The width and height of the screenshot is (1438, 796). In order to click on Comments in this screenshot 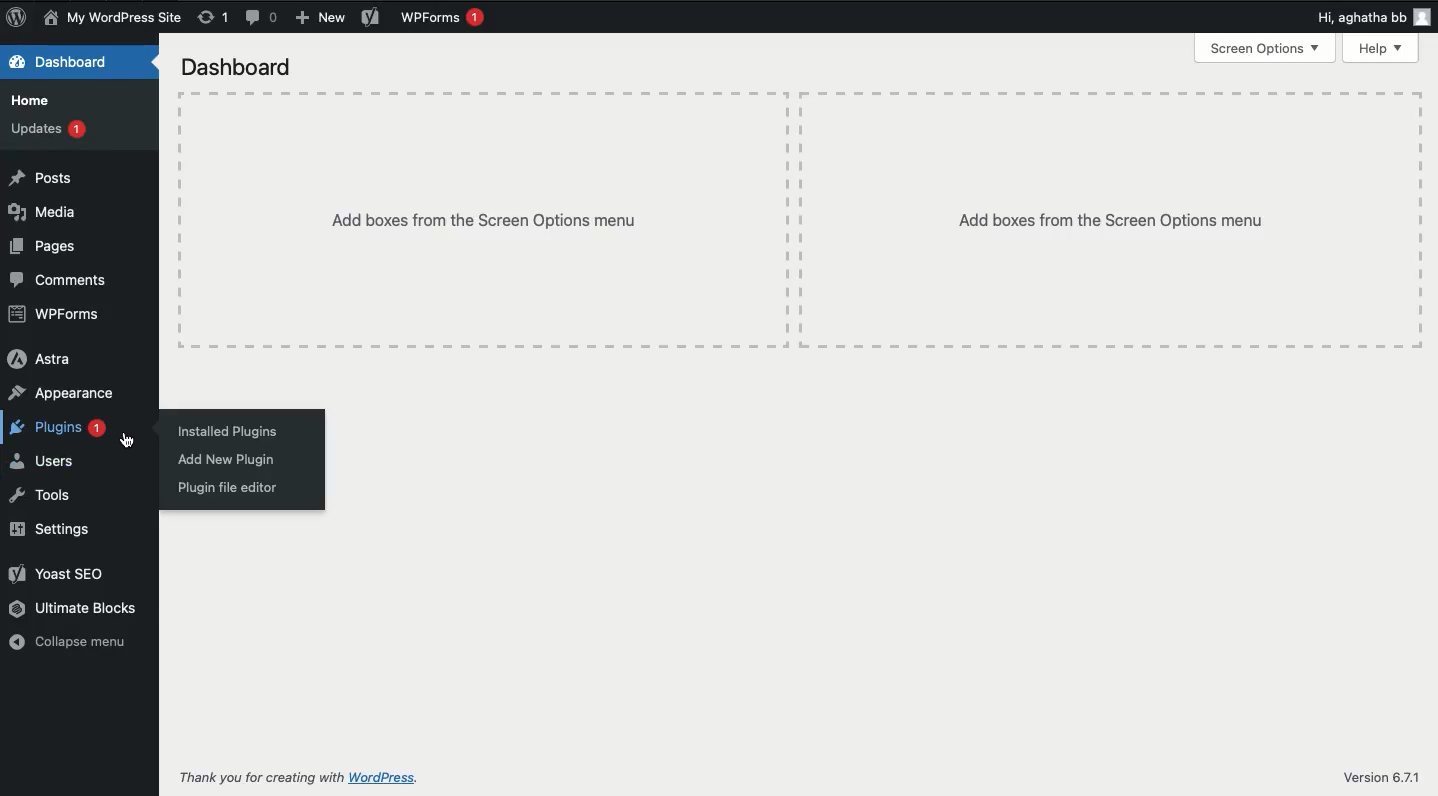, I will do `click(66, 280)`.